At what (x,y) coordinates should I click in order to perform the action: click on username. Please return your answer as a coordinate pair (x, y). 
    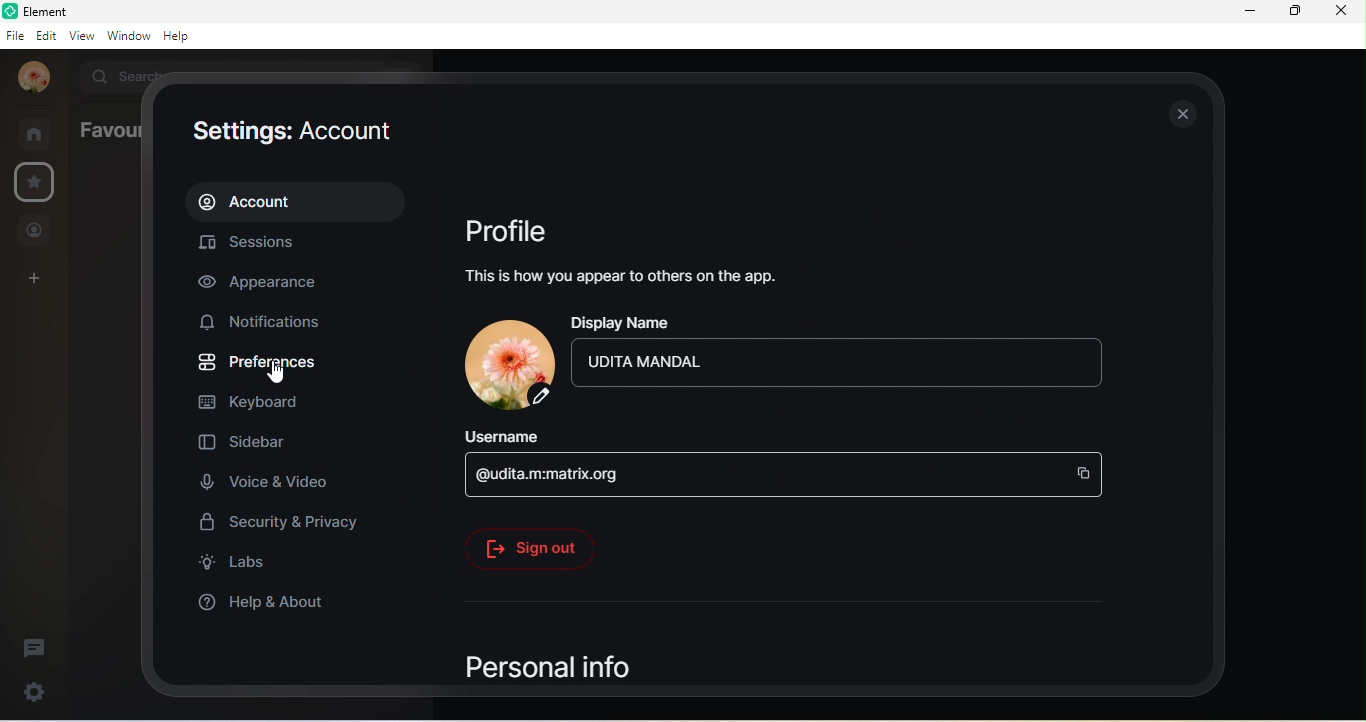
    Looking at the image, I should click on (512, 438).